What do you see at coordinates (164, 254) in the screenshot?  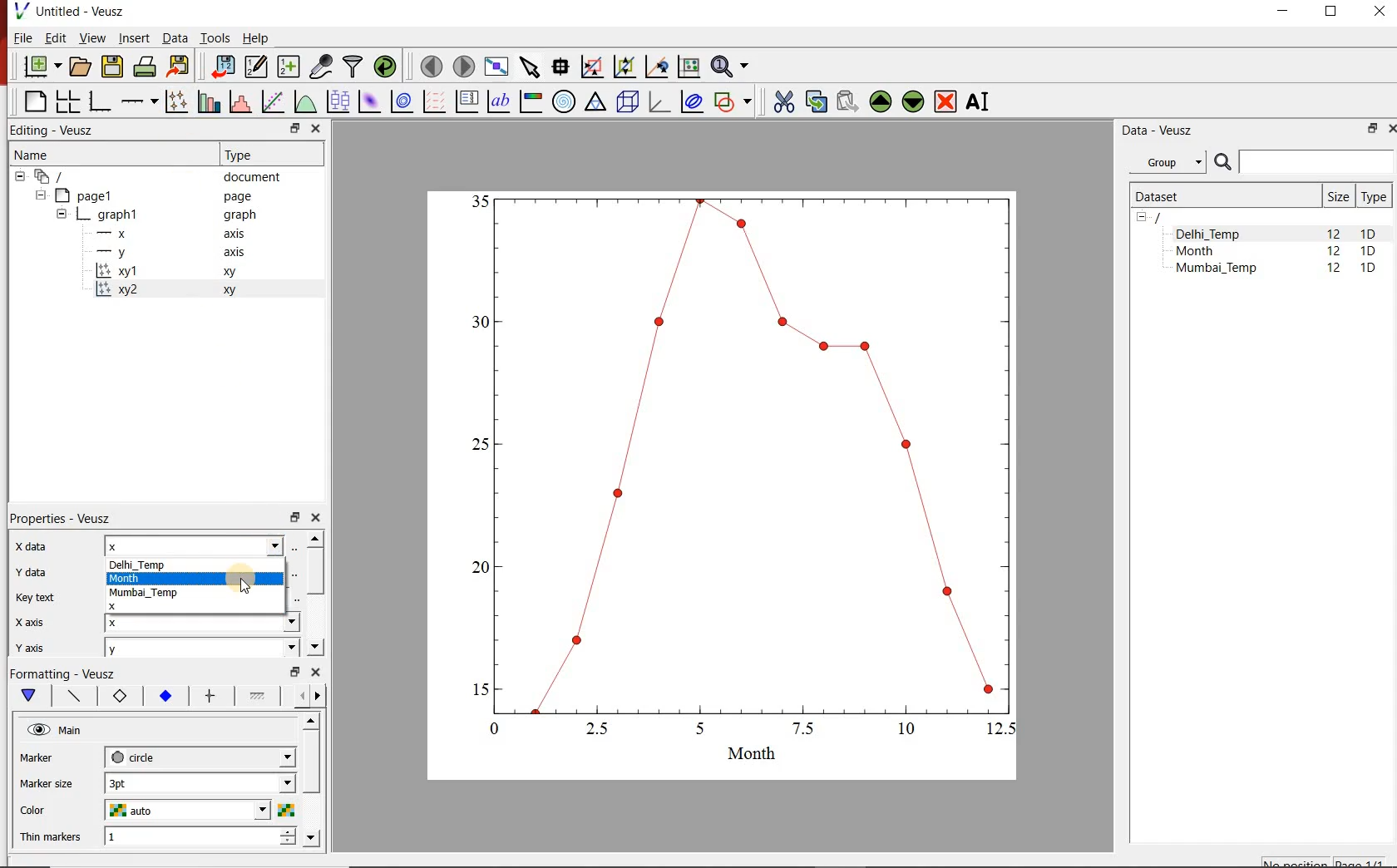 I see `-y axis` at bounding box center [164, 254].